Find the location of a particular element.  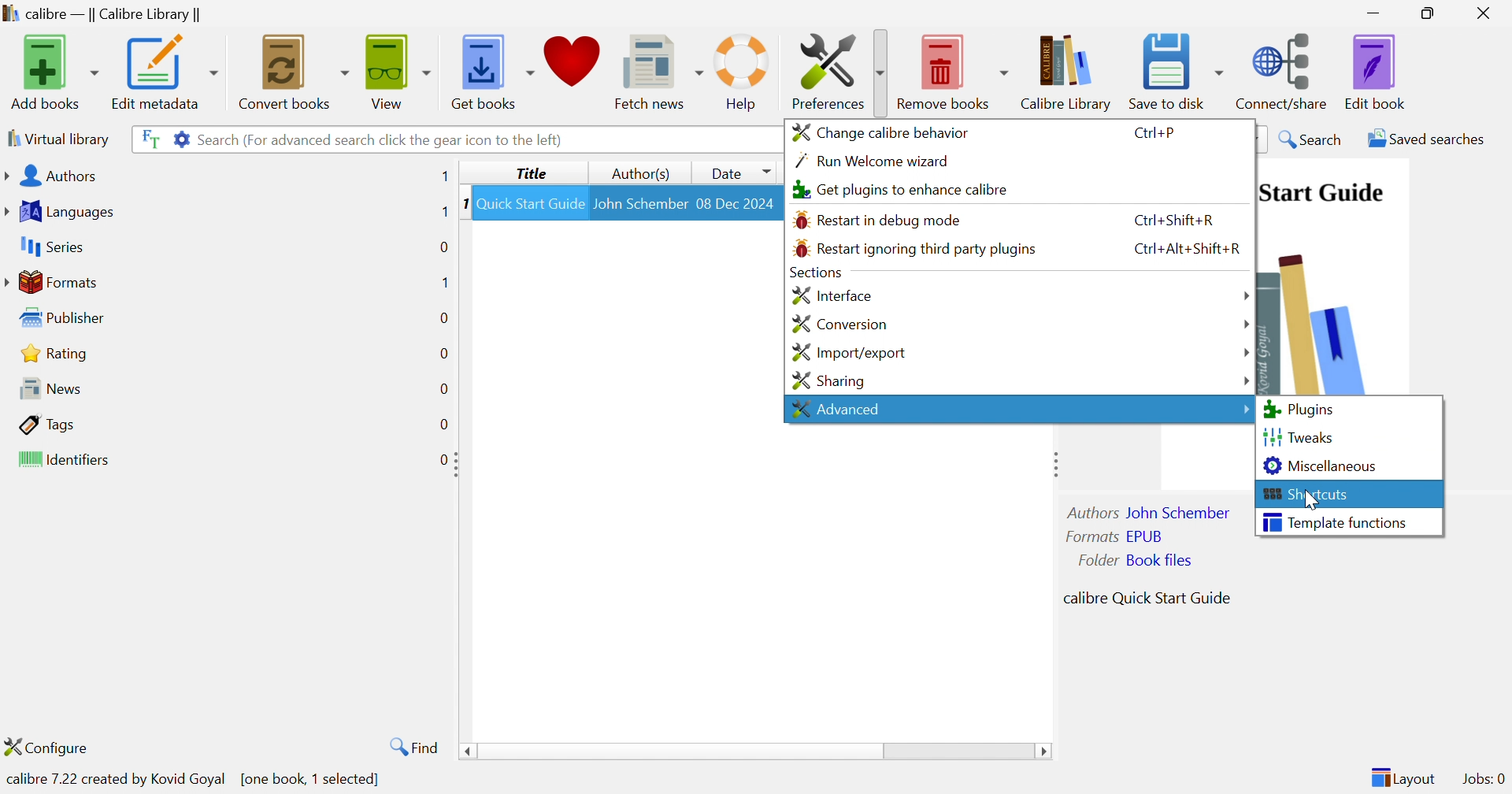

Advanced search is located at coordinates (180, 137).